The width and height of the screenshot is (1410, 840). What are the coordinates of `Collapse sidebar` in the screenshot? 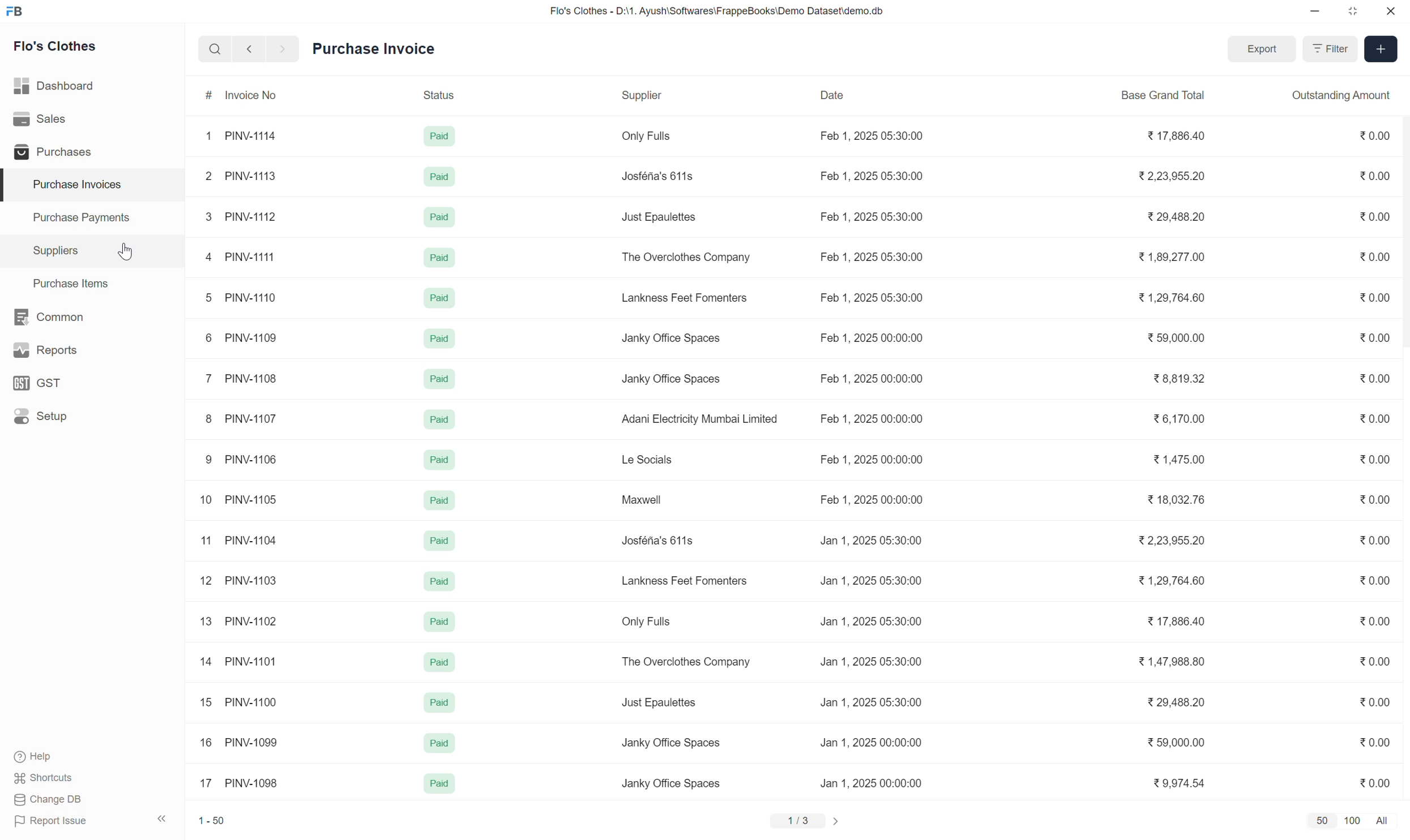 It's located at (162, 818).